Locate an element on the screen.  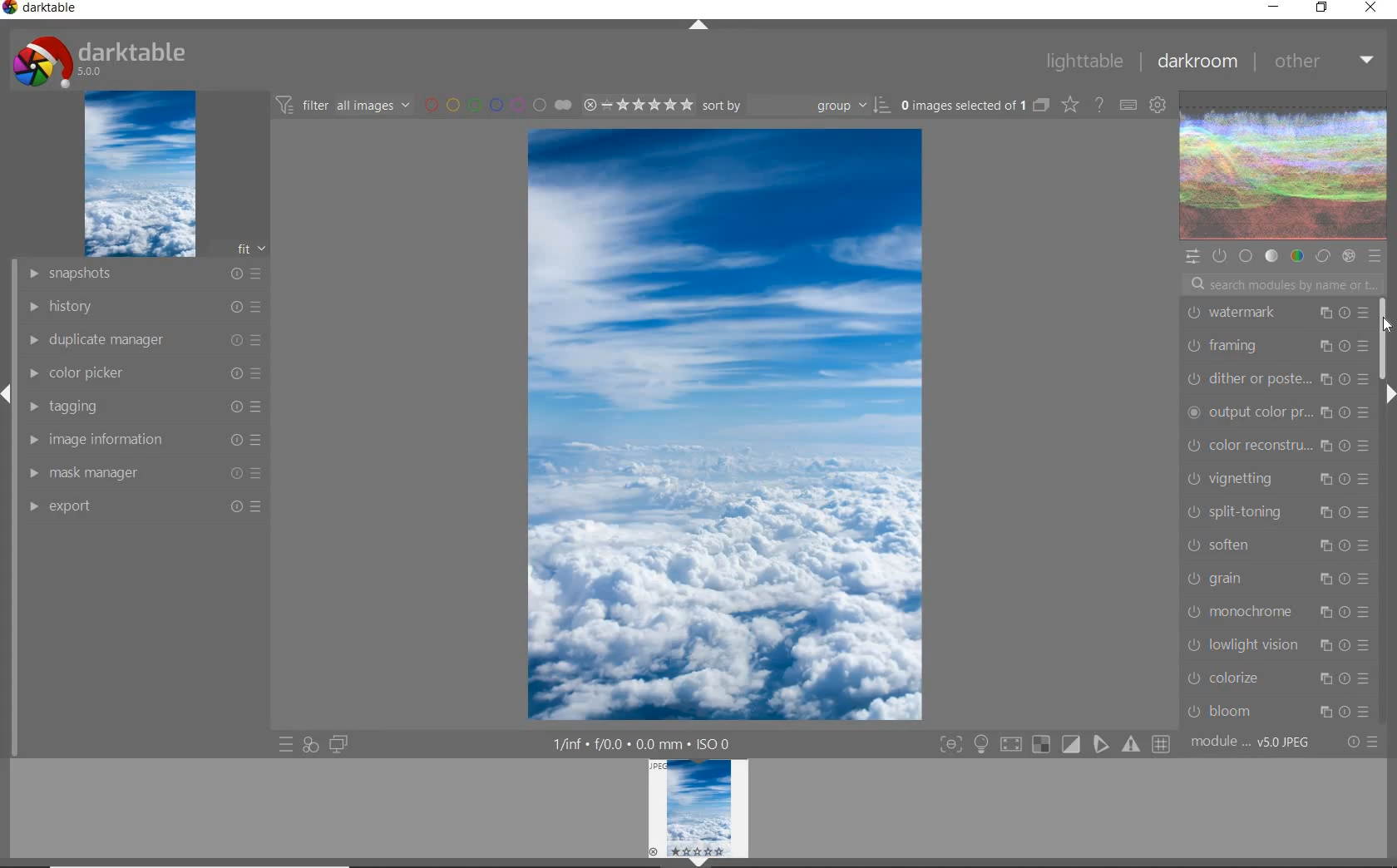
FRAMING is located at coordinates (1274, 345).